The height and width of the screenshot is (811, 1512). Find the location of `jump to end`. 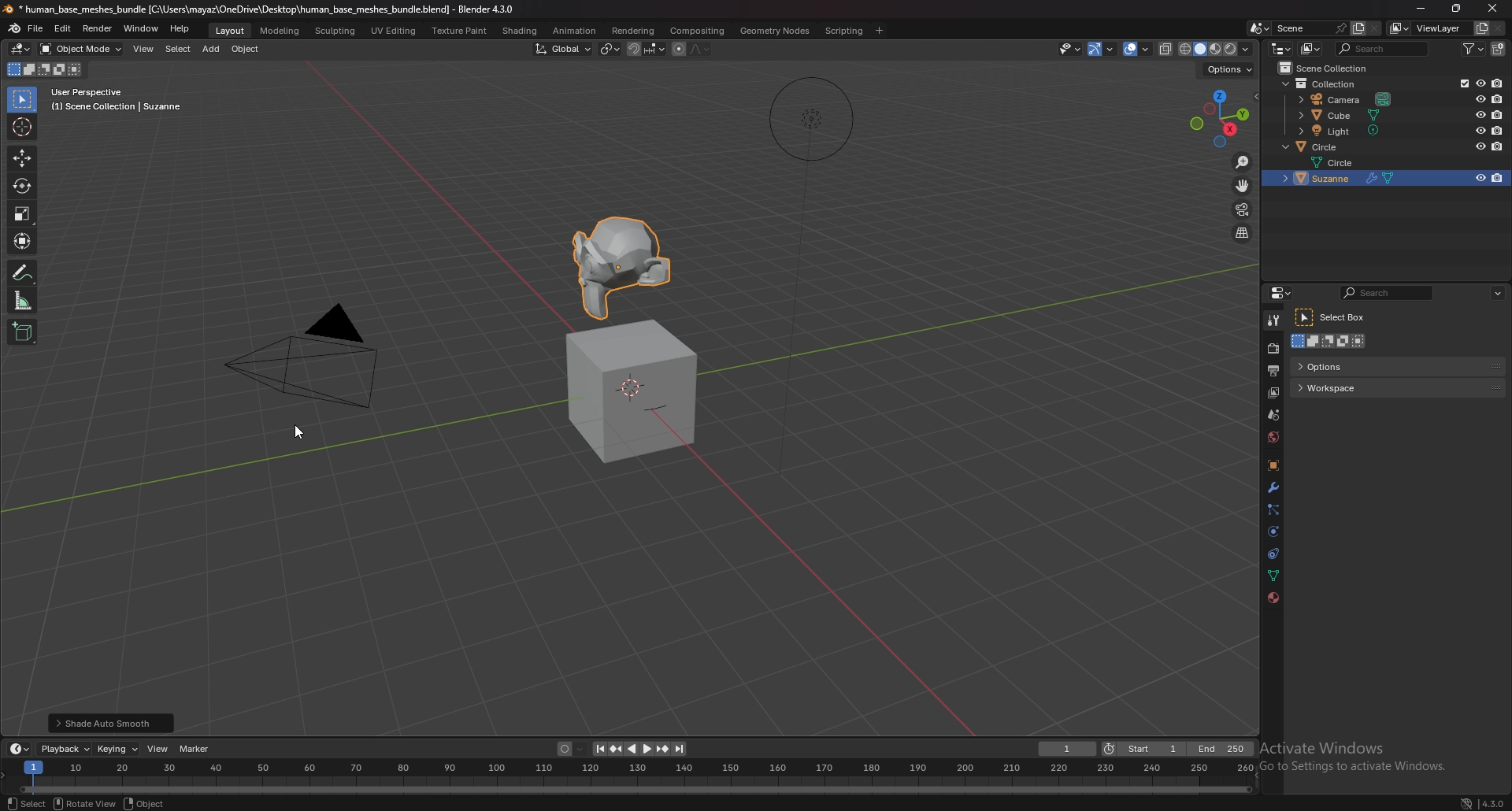

jump to end is located at coordinates (681, 749).